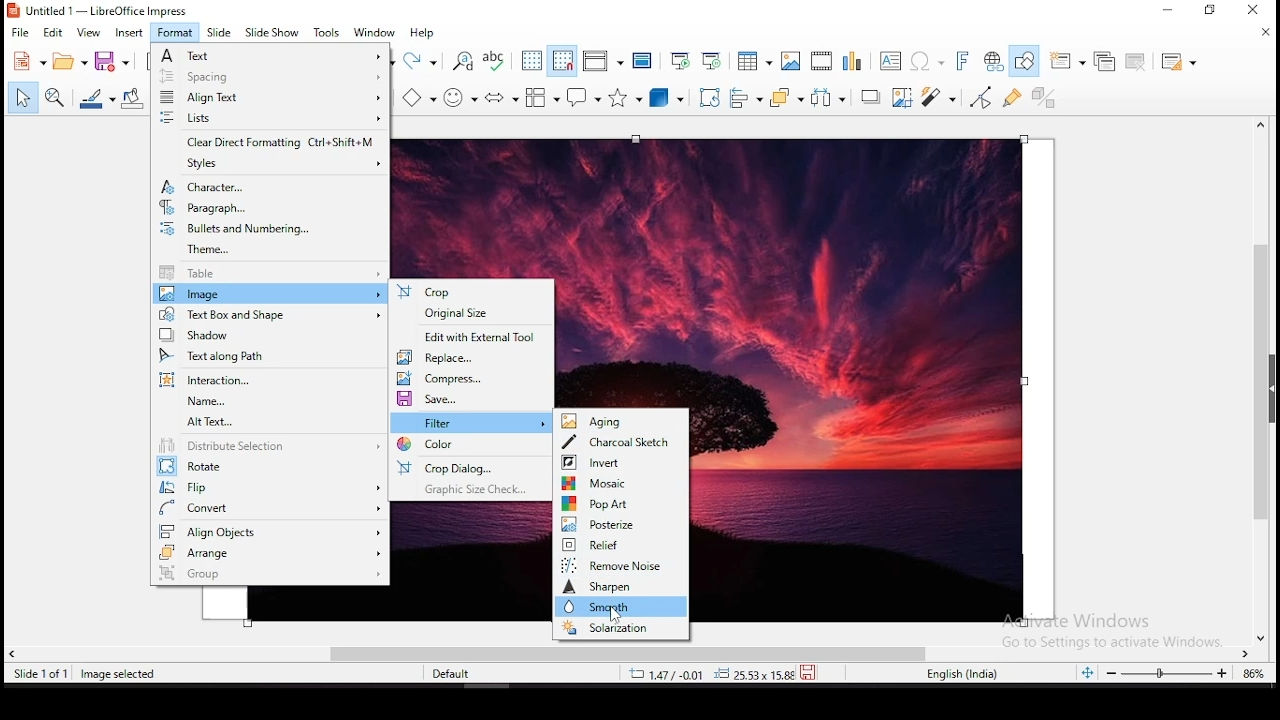 This screenshot has width=1280, height=720. I want to click on basic shapes, so click(419, 97).